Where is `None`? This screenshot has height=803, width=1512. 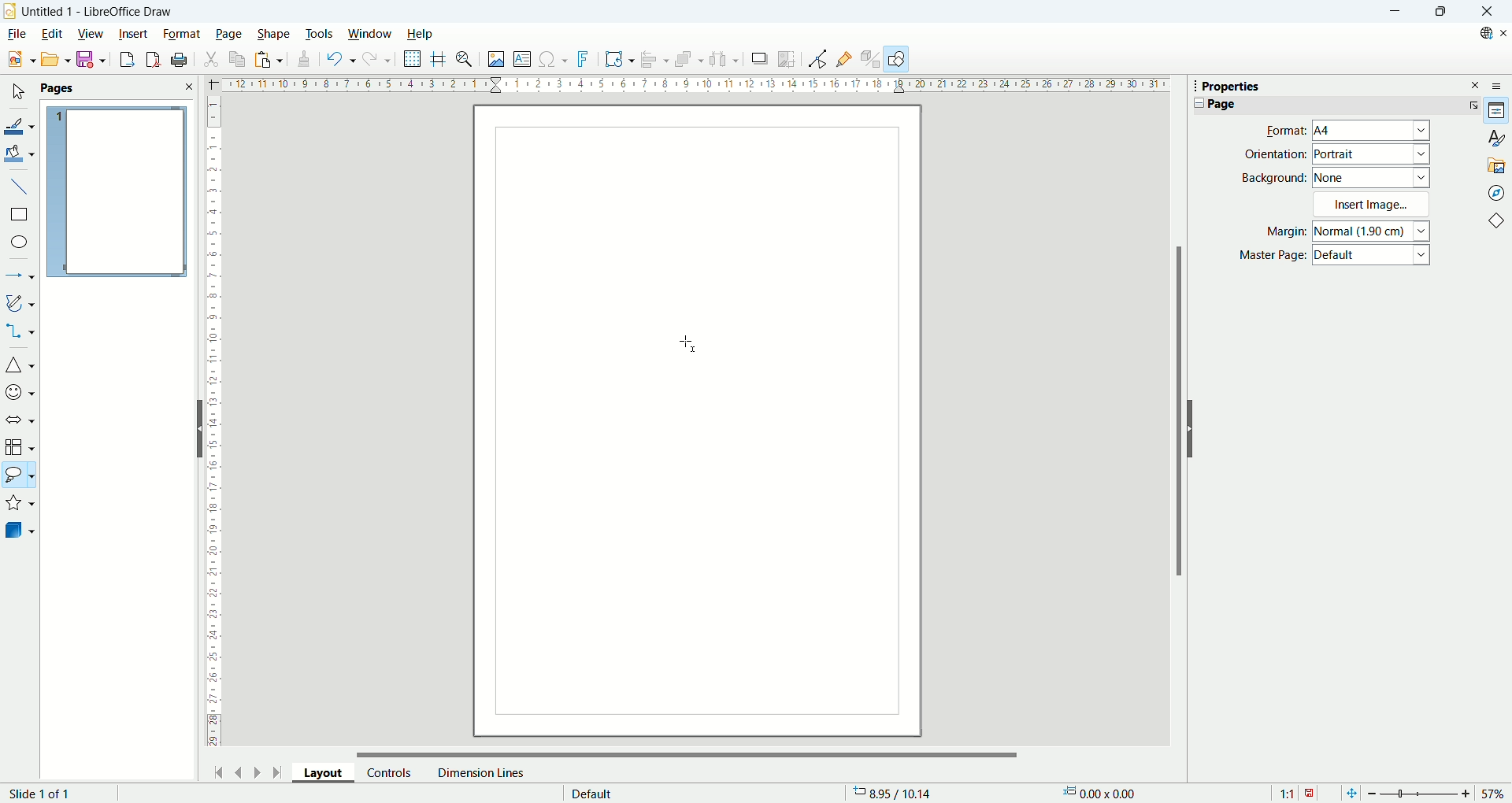
None is located at coordinates (1372, 176).